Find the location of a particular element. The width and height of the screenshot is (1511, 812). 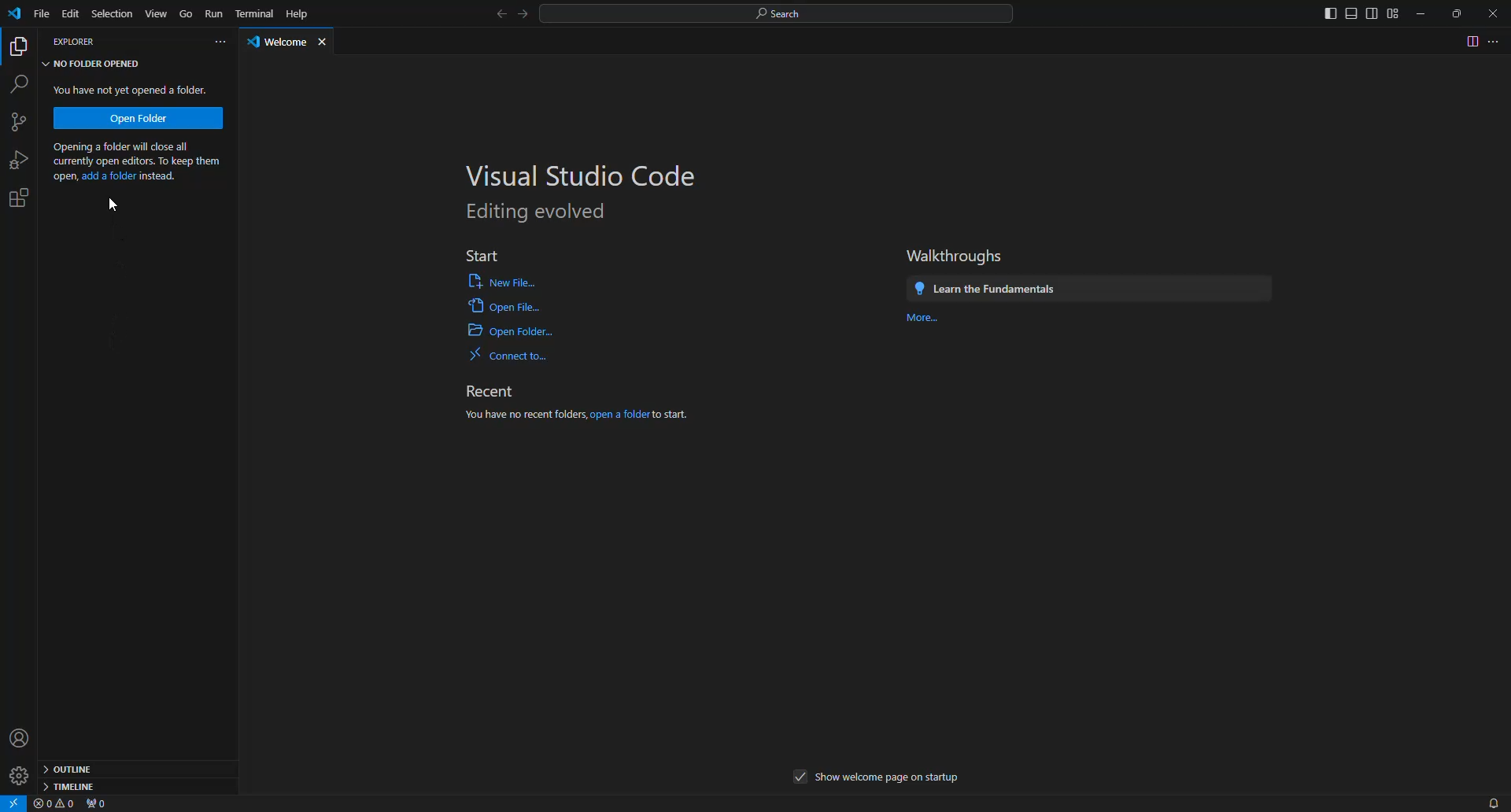

open folder is located at coordinates (139, 117).